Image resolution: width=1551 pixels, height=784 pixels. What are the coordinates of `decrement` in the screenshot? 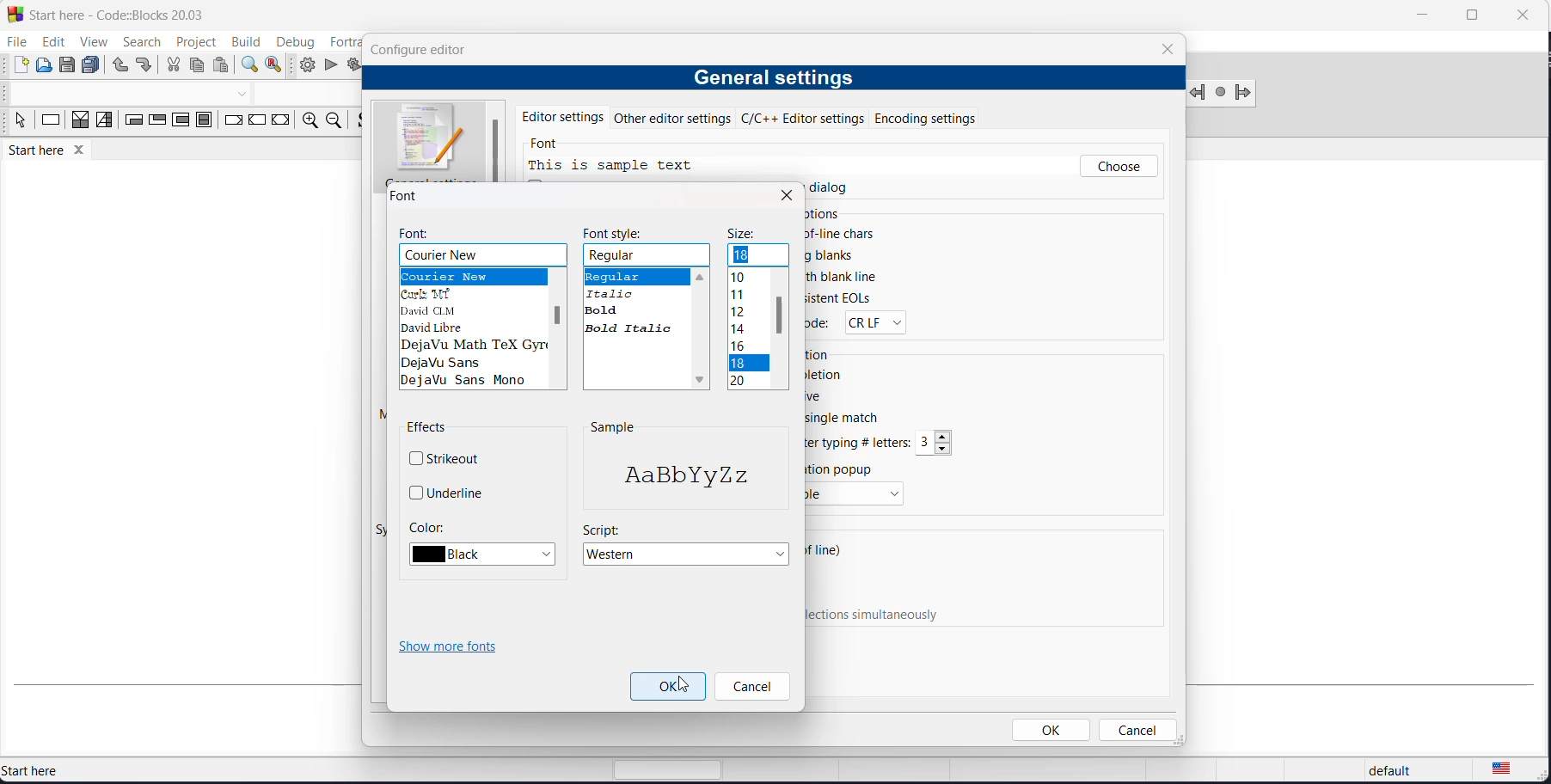 It's located at (945, 449).